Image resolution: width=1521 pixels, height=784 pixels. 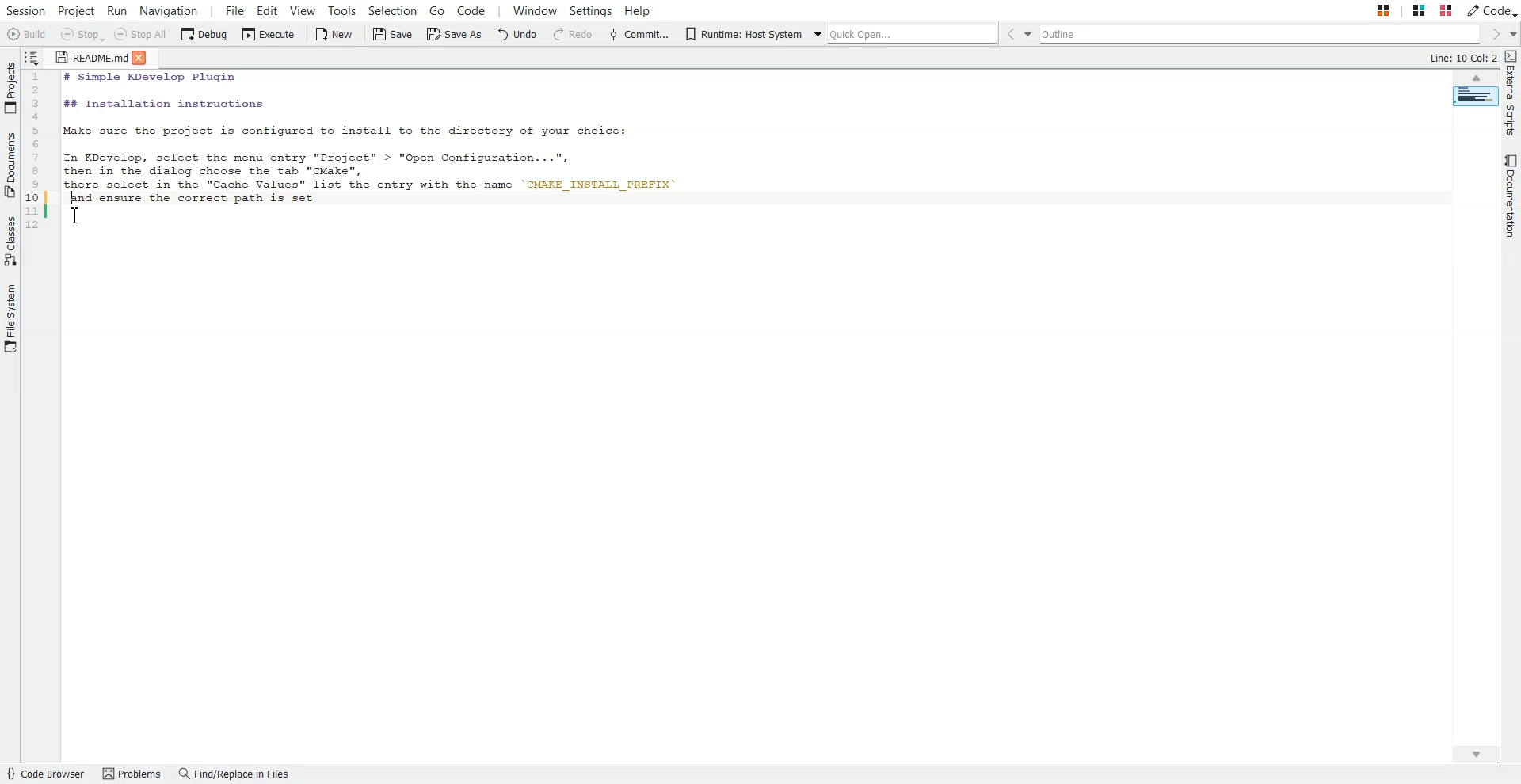 I want to click on Outline, so click(x=1264, y=34).